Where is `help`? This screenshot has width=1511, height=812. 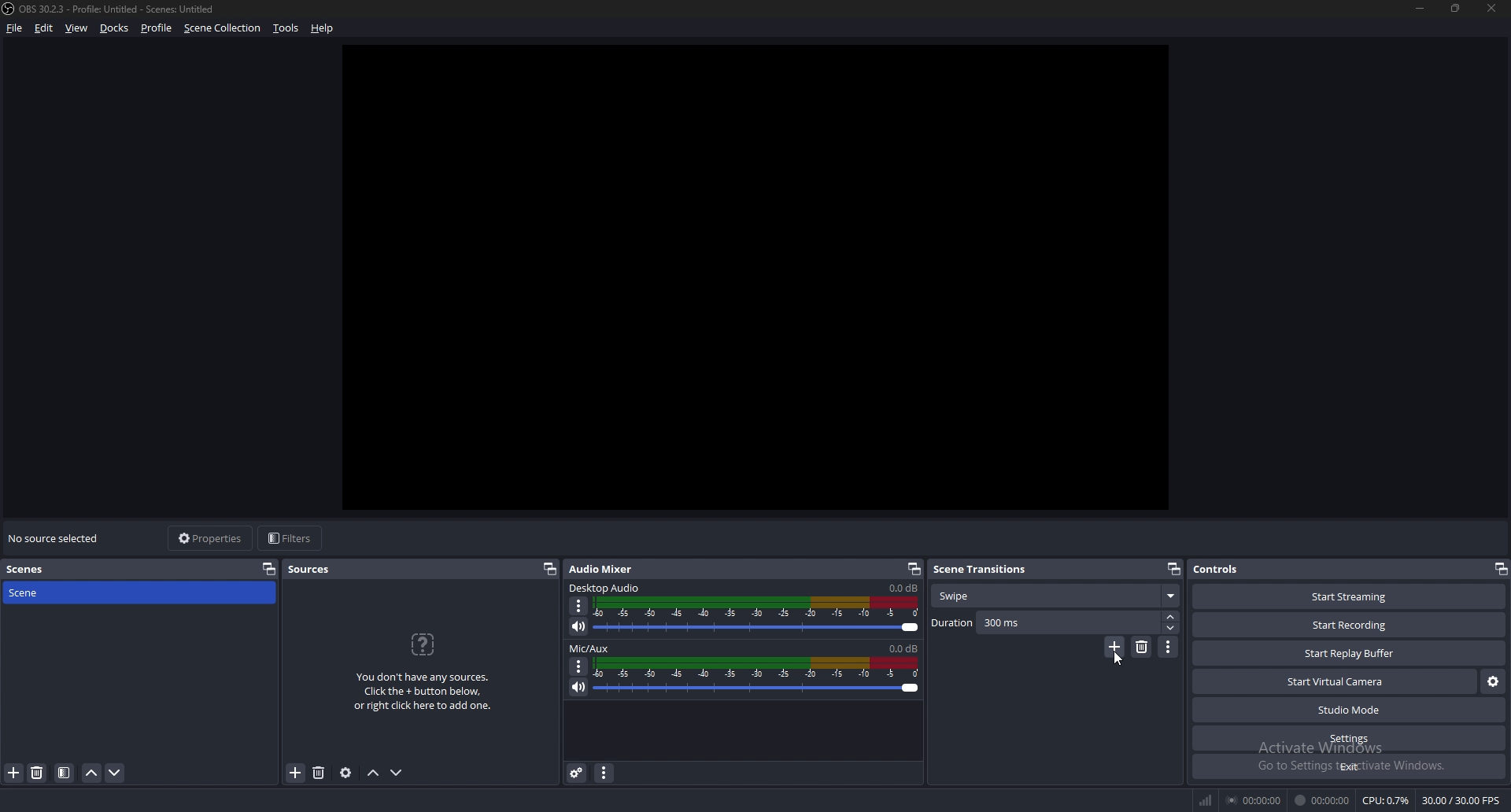
help is located at coordinates (323, 28).